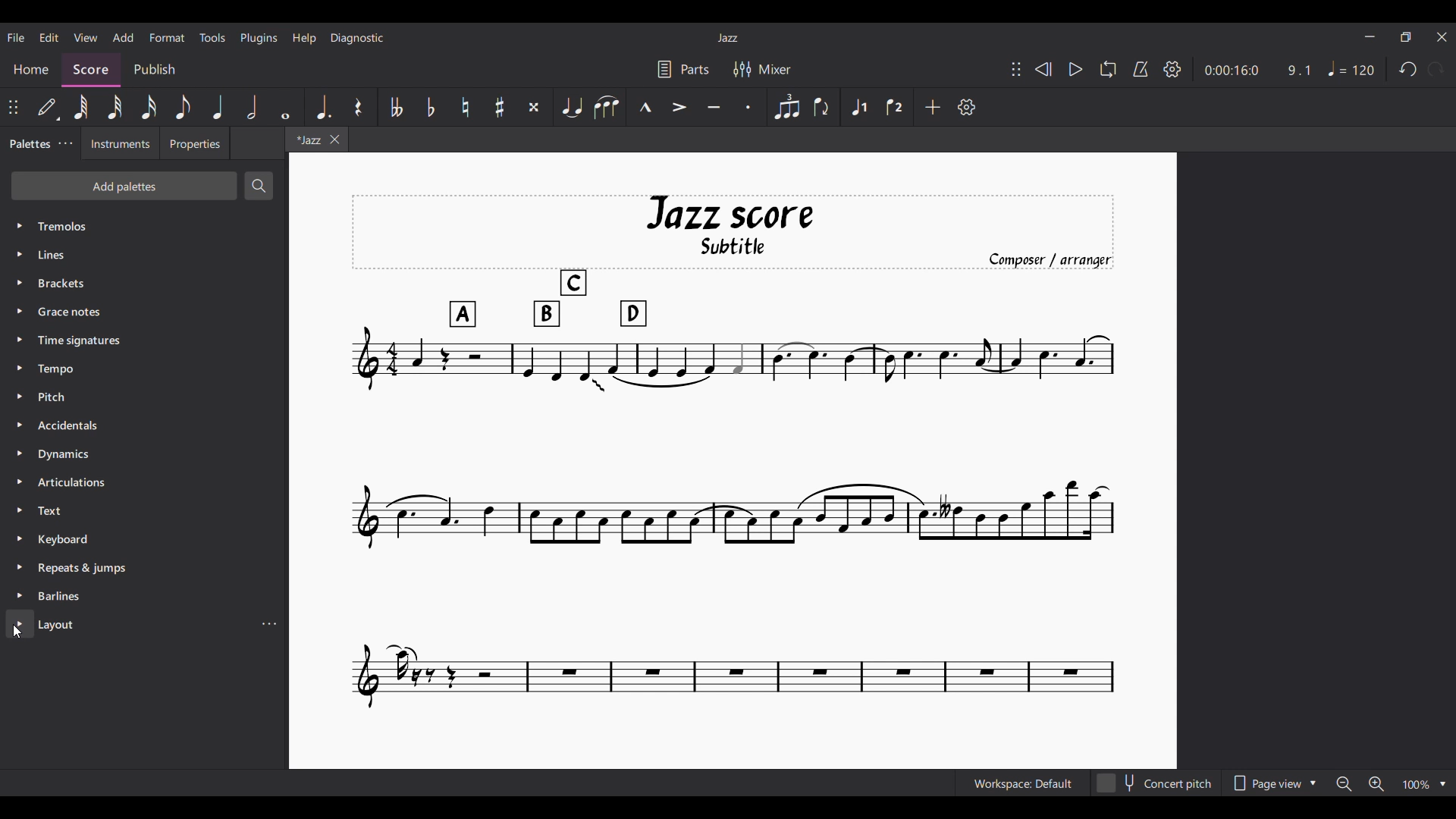 The image size is (1456, 819). Describe the element at coordinates (395, 107) in the screenshot. I see `Toggle double flat` at that location.